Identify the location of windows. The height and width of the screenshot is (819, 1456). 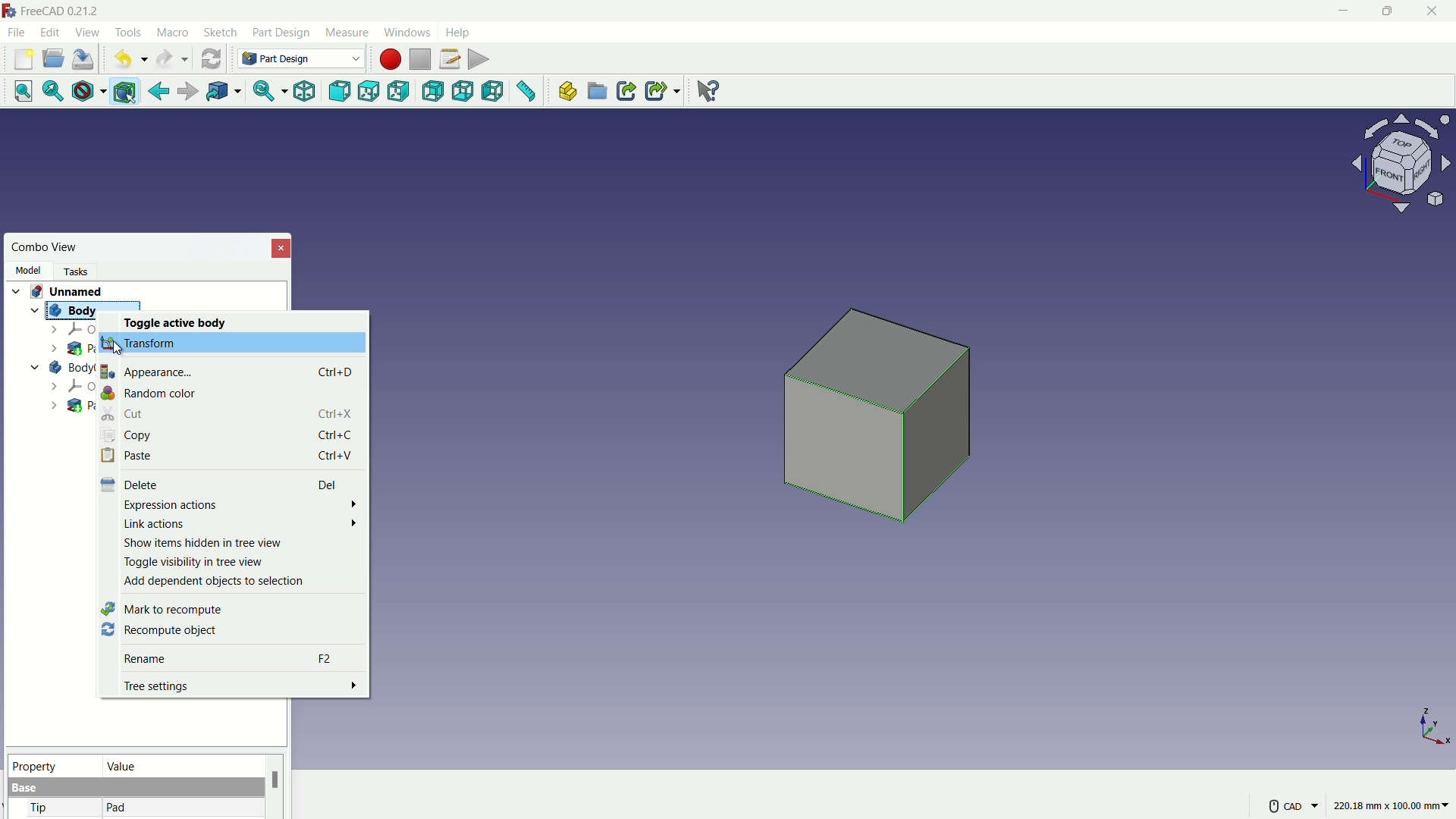
(406, 32).